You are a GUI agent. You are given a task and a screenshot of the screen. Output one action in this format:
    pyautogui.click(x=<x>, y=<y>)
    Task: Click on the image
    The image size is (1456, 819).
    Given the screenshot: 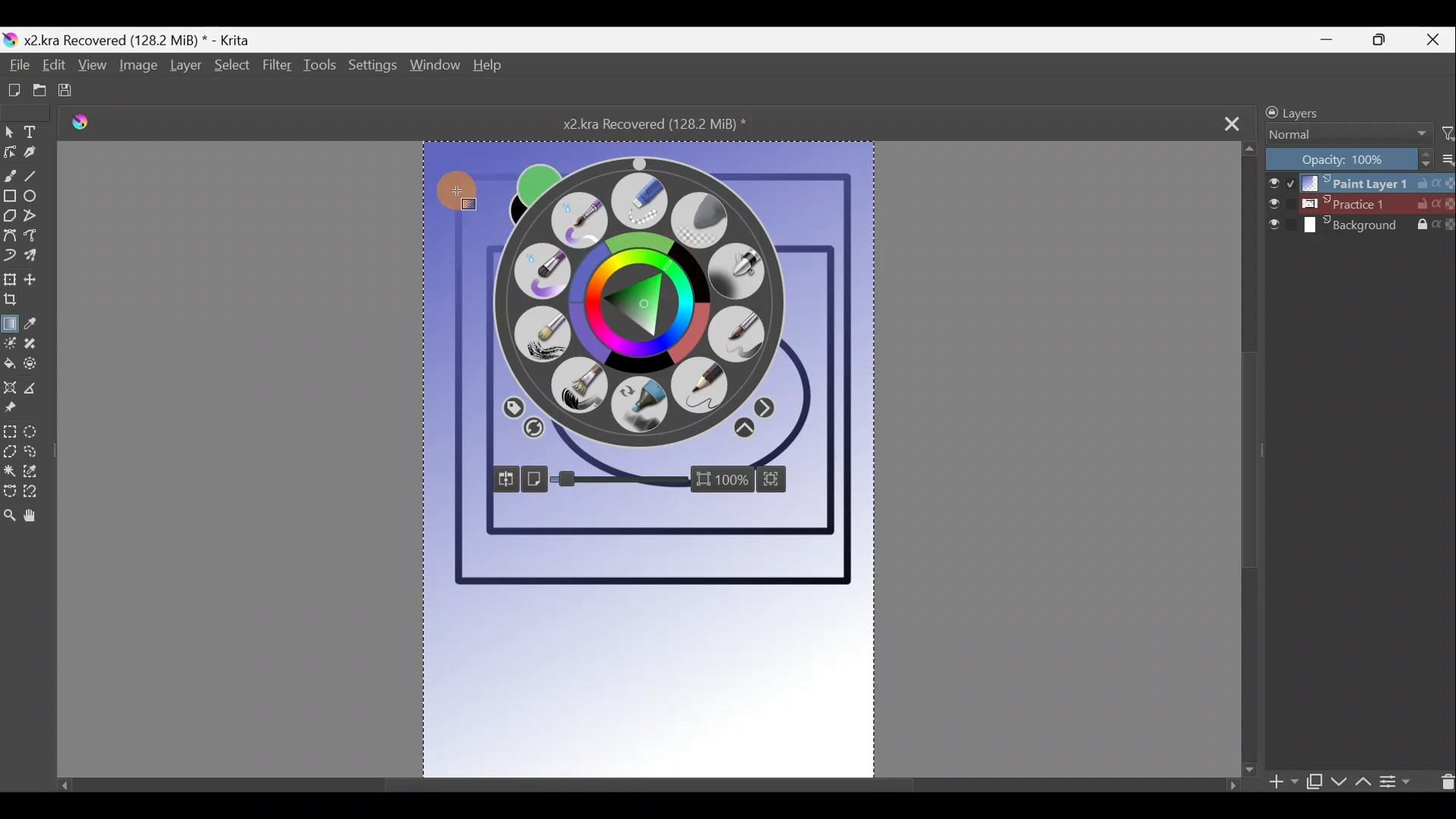 What is the action you would take?
    pyautogui.click(x=450, y=375)
    